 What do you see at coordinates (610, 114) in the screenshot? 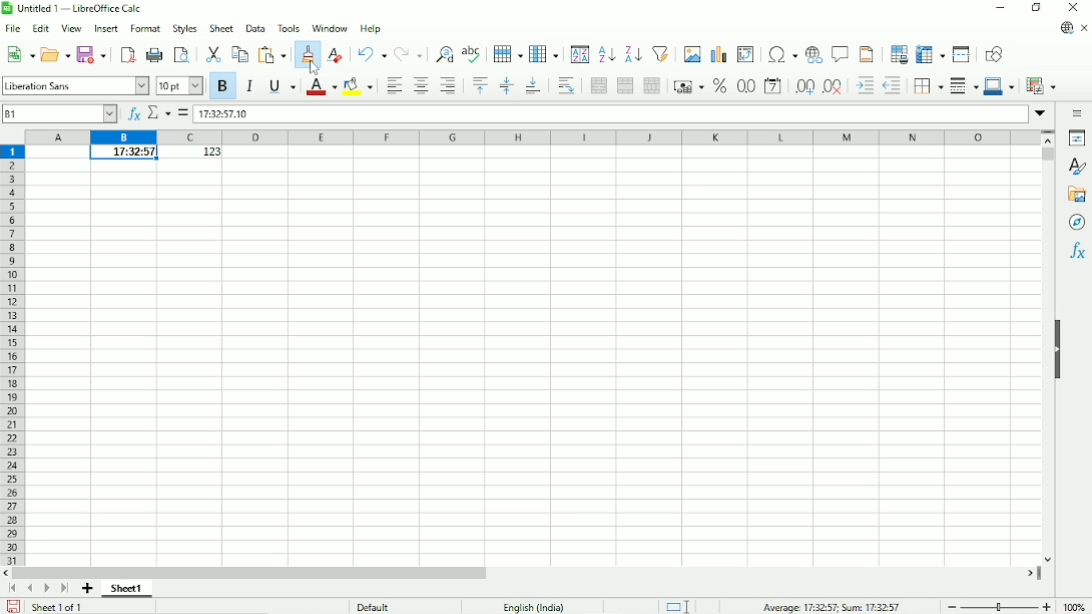
I see `Input line` at bounding box center [610, 114].